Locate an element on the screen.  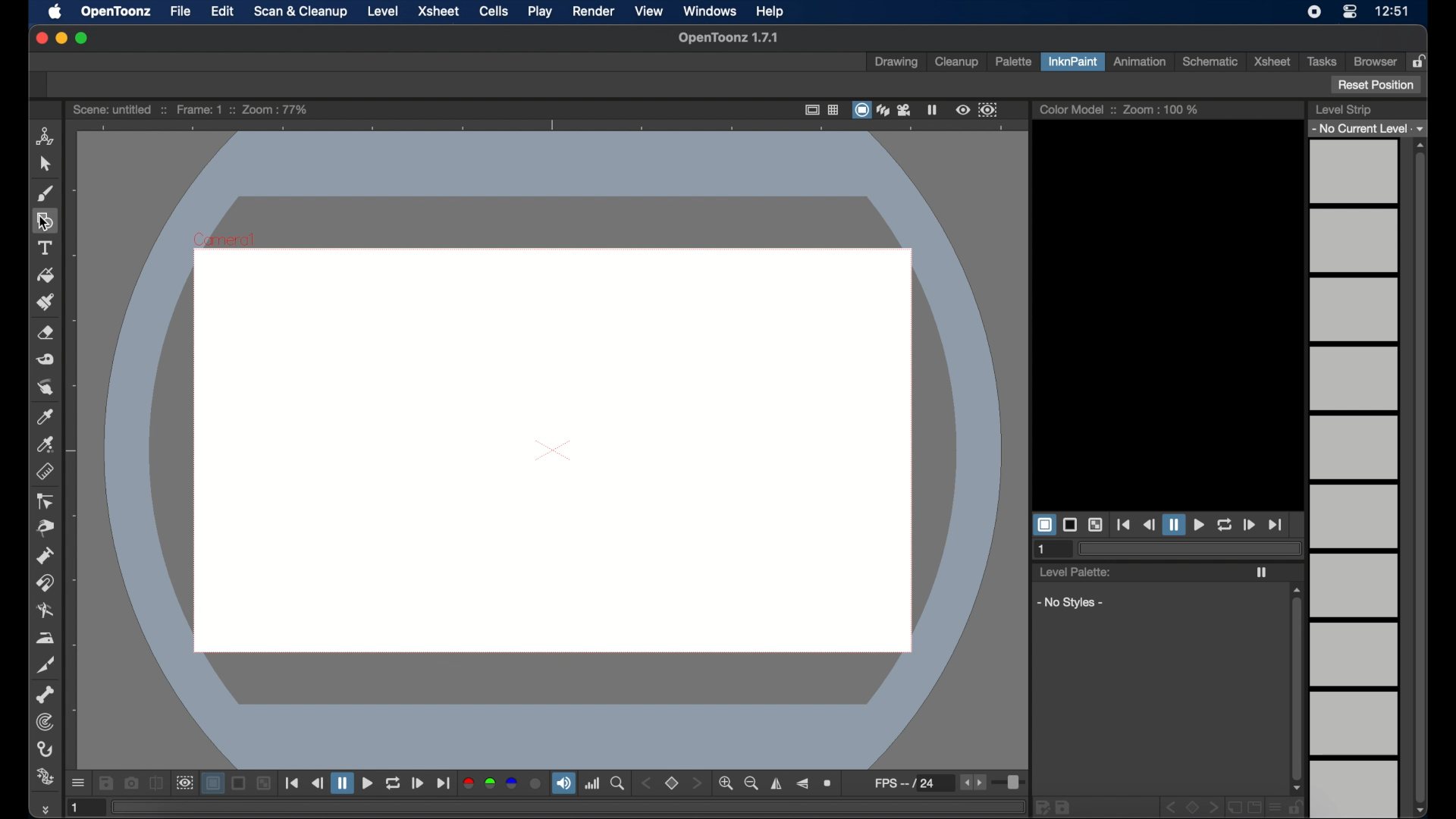
zoom in is located at coordinates (725, 783).